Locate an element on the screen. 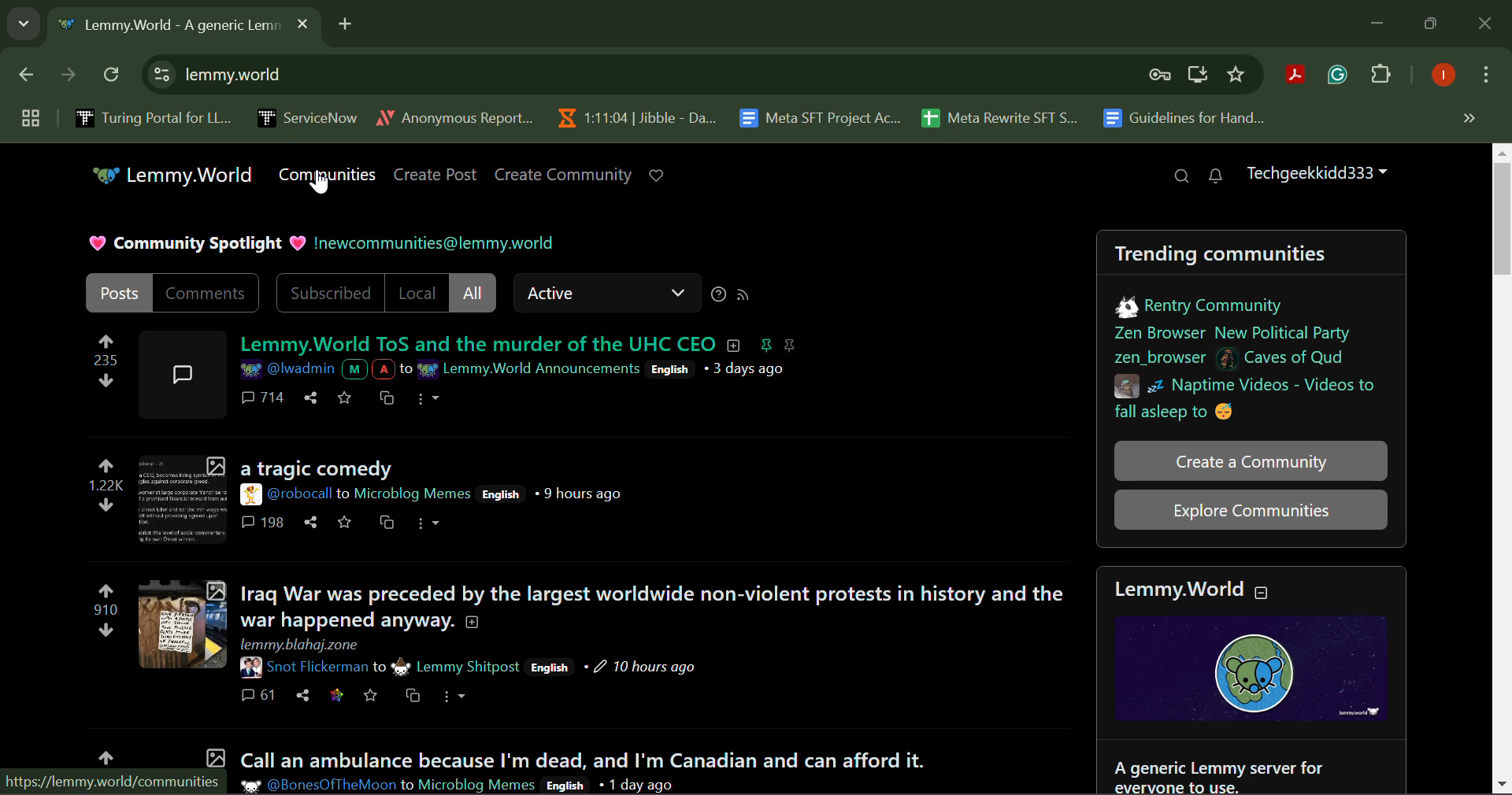 This screenshot has height=795, width=1512. Save is located at coordinates (370, 695).